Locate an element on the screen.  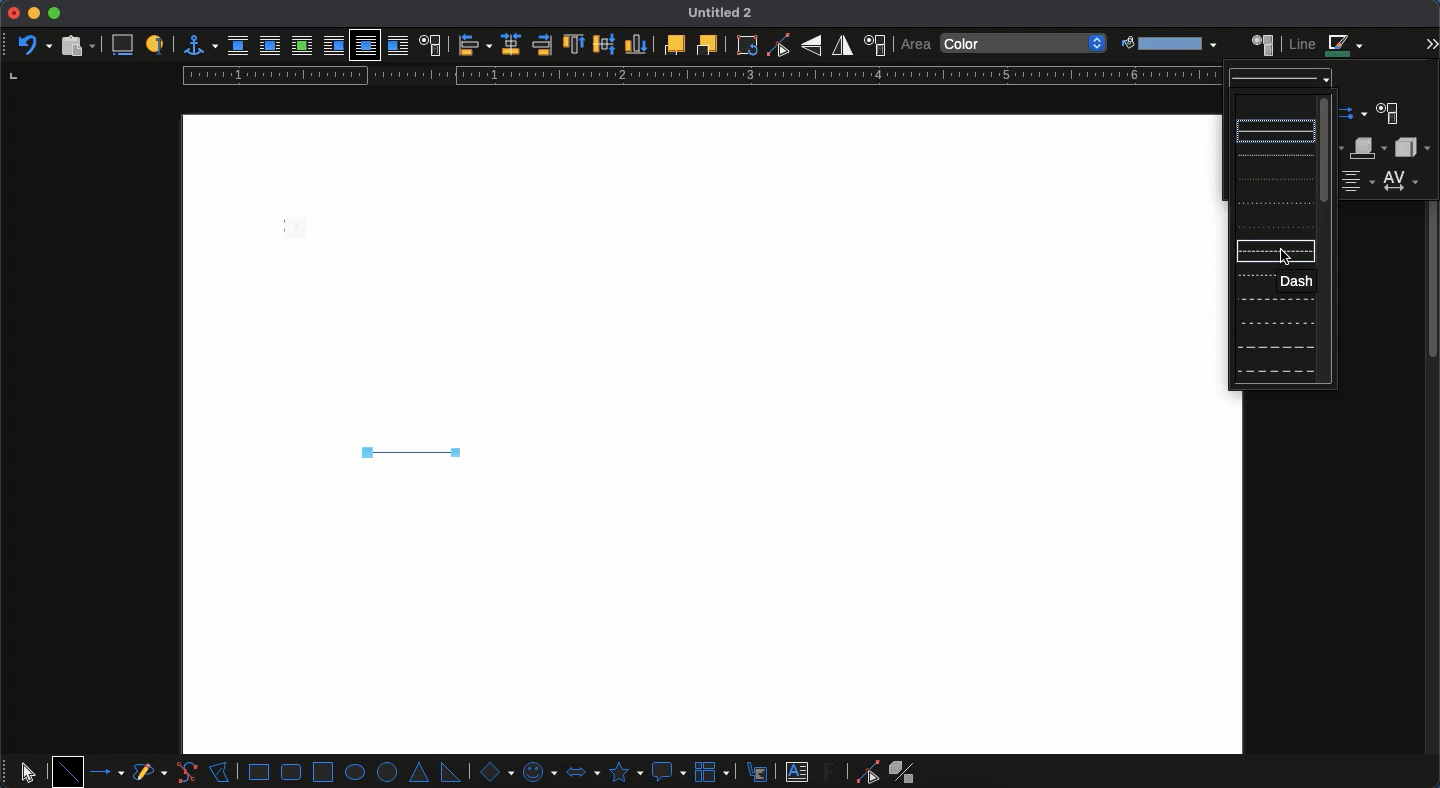
Direction is located at coordinates (1274, 105).